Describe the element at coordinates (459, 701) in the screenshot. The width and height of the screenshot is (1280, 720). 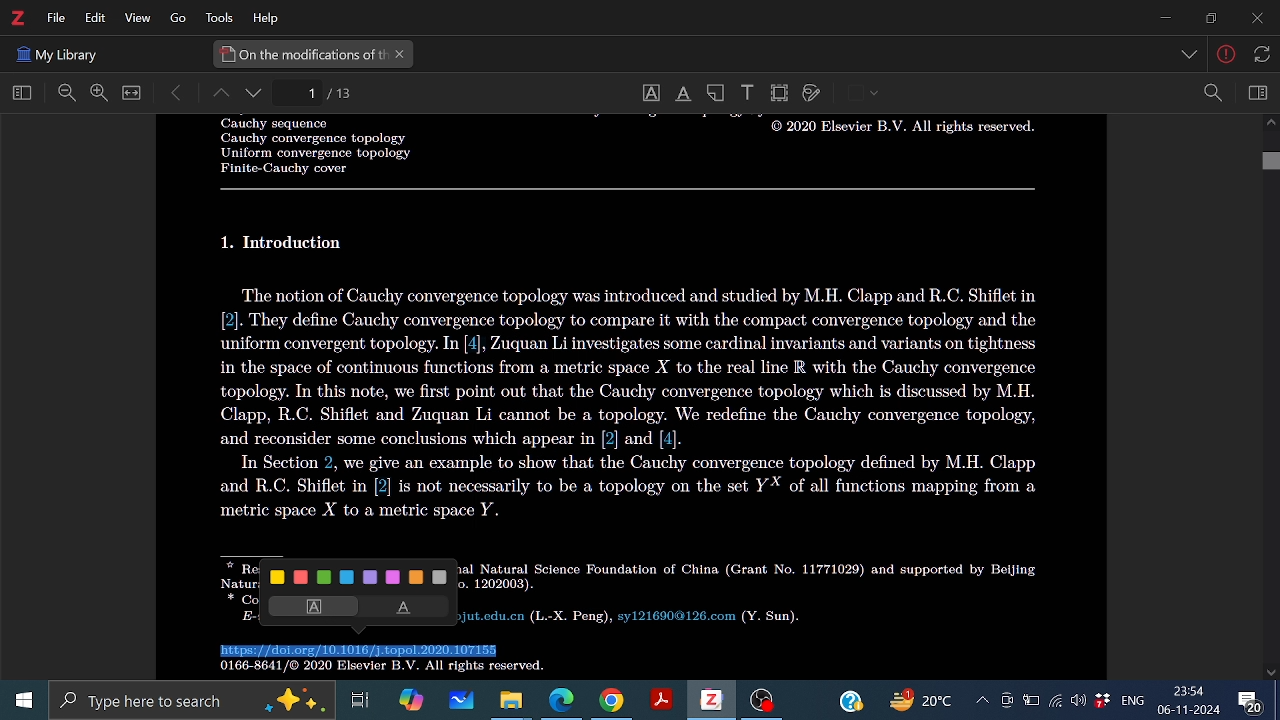
I see `Whiteboard` at that location.